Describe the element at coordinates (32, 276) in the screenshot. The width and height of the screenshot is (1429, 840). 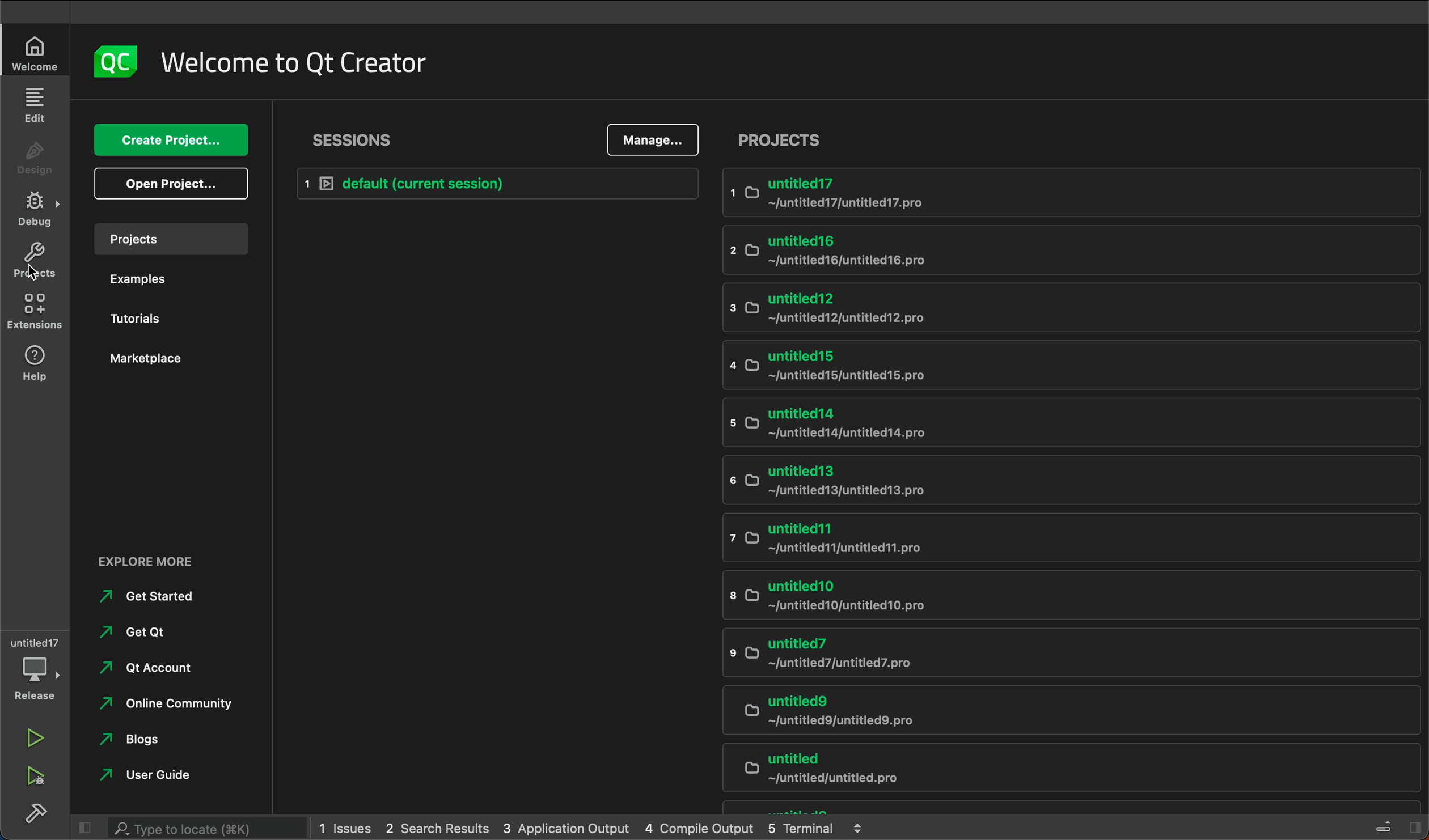
I see `cursor` at that location.